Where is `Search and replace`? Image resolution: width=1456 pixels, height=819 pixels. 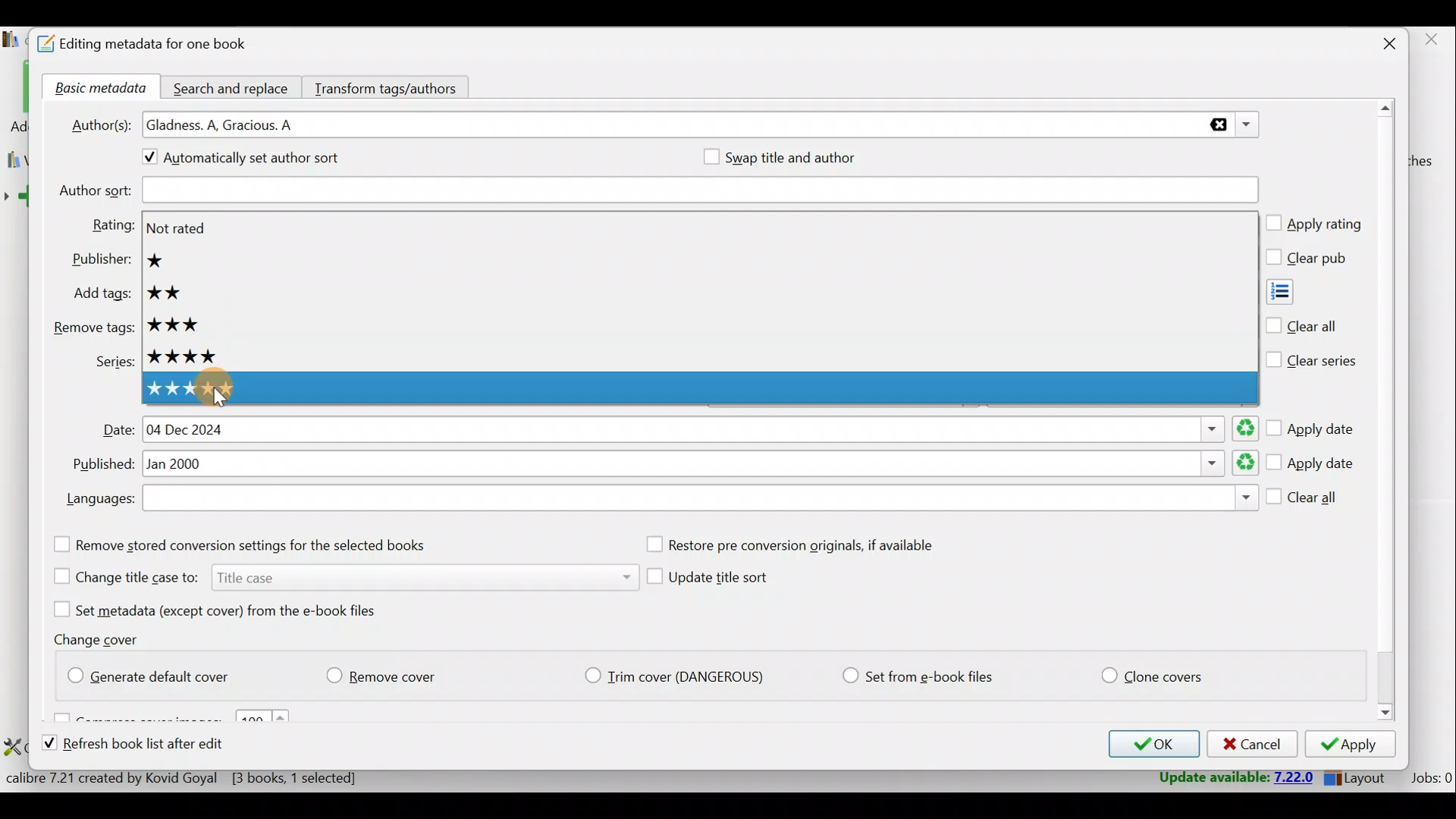 Search and replace is located at coordinates (233, 86).